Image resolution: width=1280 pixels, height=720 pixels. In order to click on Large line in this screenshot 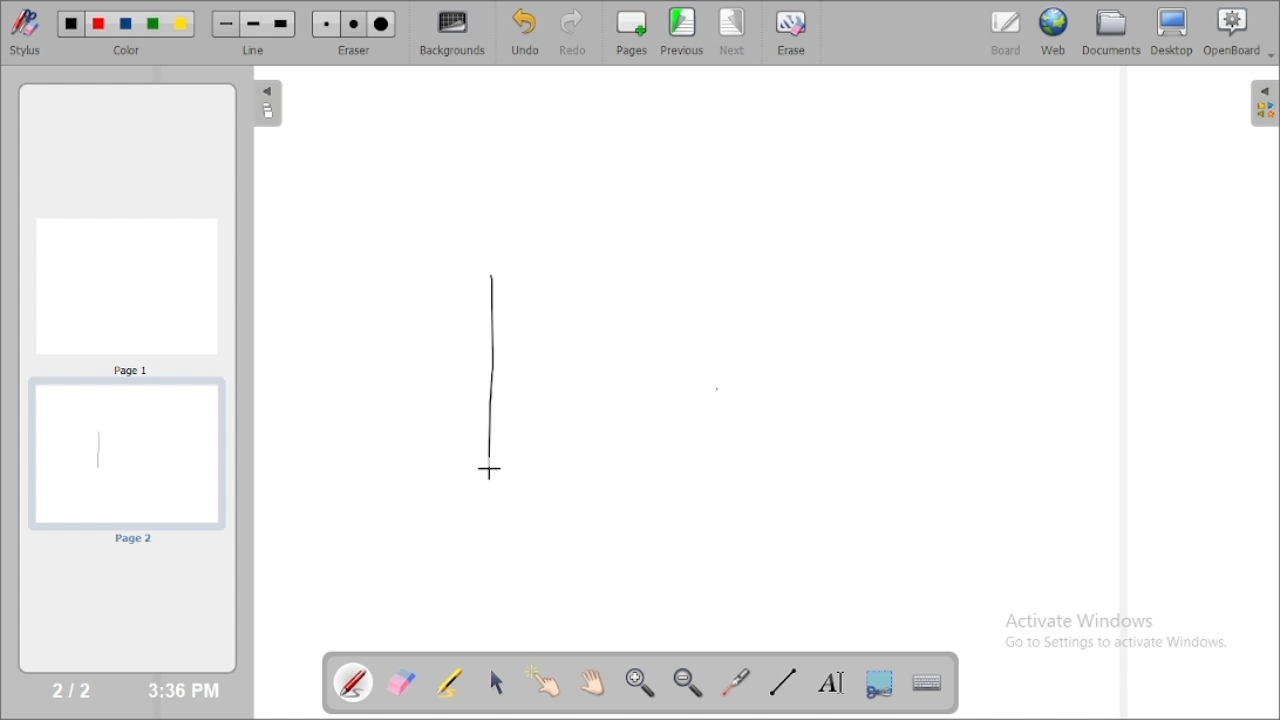, I will do `click(282, 25)`.